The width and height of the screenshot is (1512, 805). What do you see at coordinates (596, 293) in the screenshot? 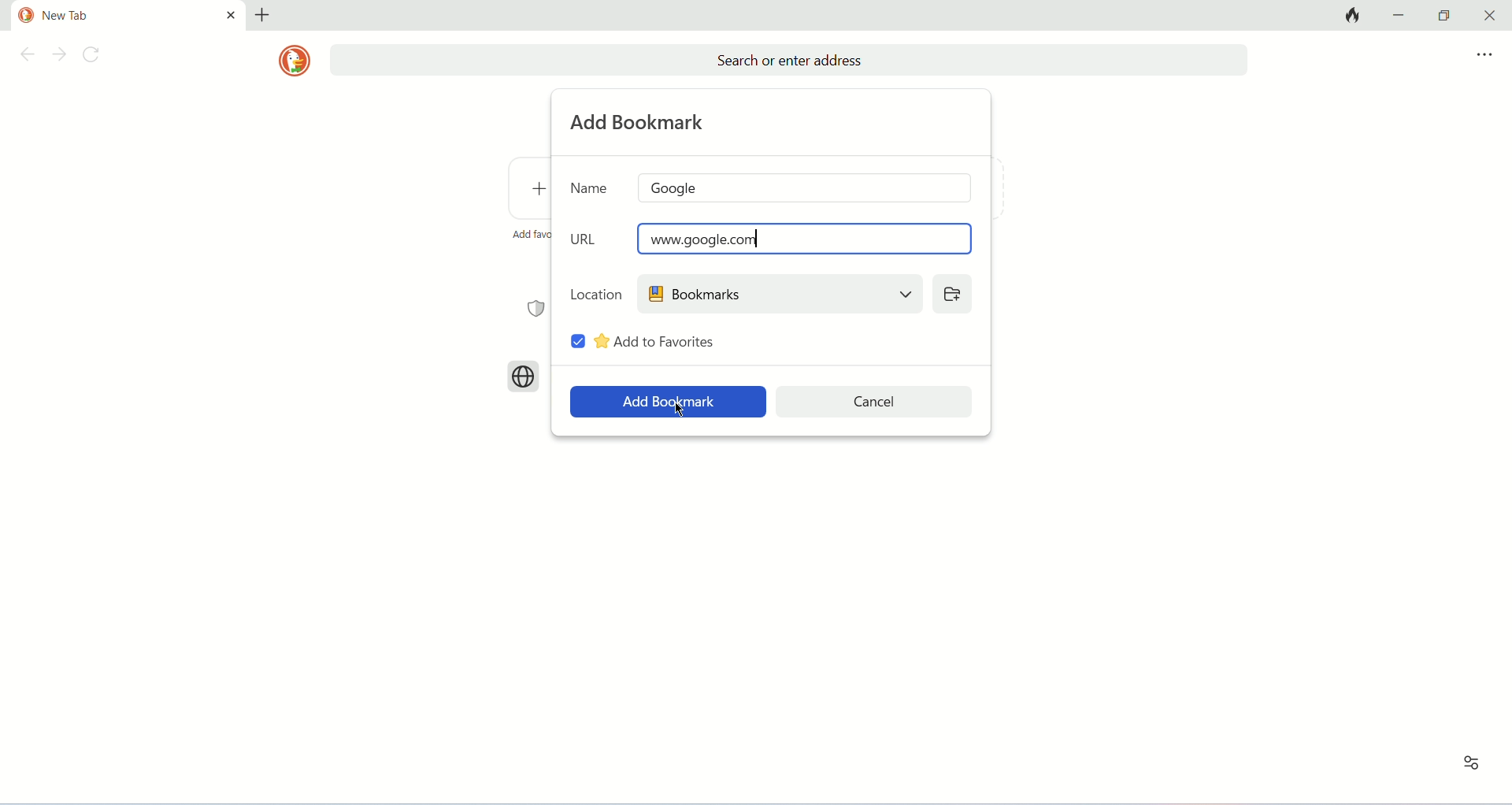
I see `location` at bounding box center [596, 293].